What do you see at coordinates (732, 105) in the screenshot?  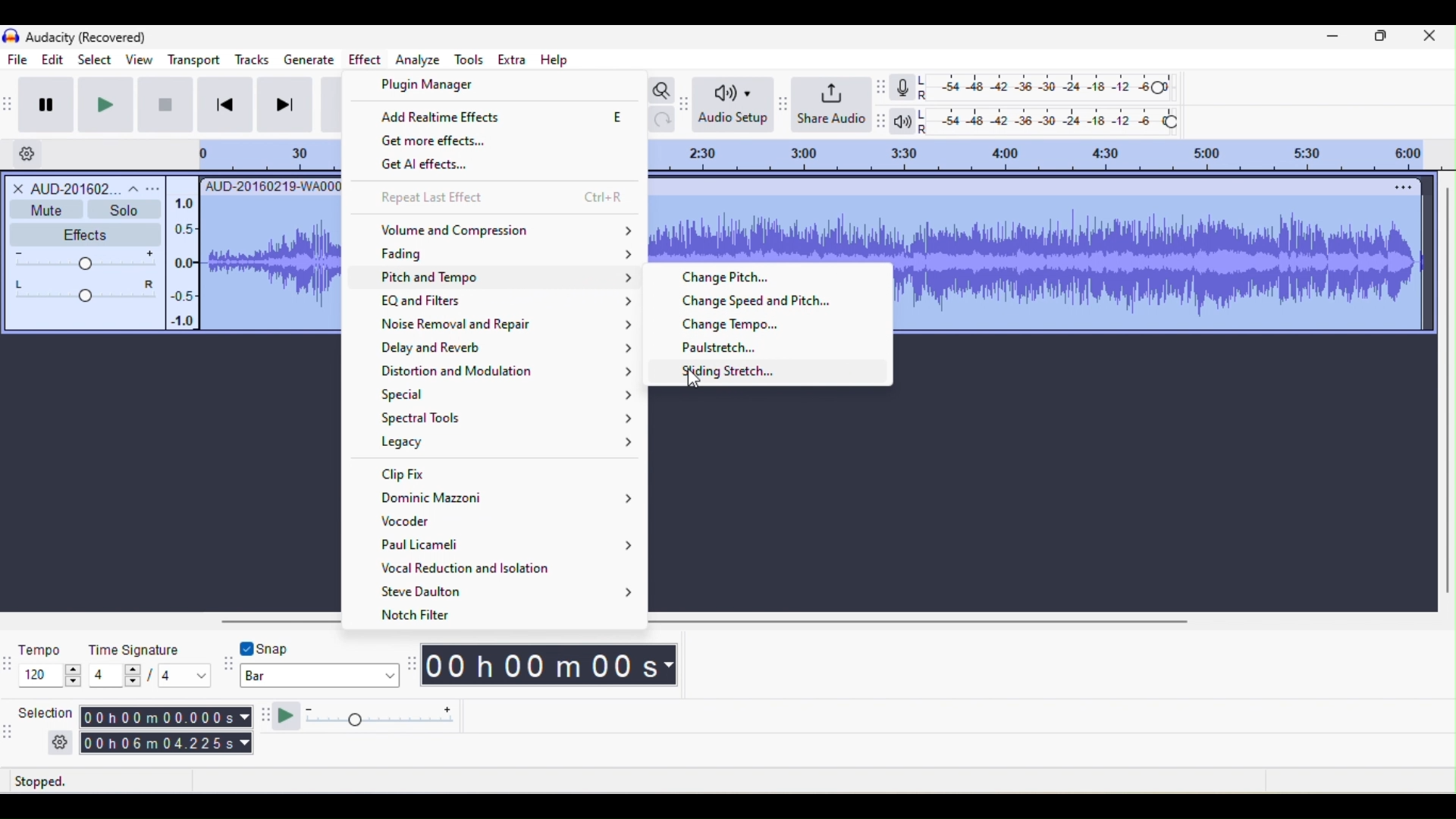 I see `audio setup` at bounding box center [732, 105].